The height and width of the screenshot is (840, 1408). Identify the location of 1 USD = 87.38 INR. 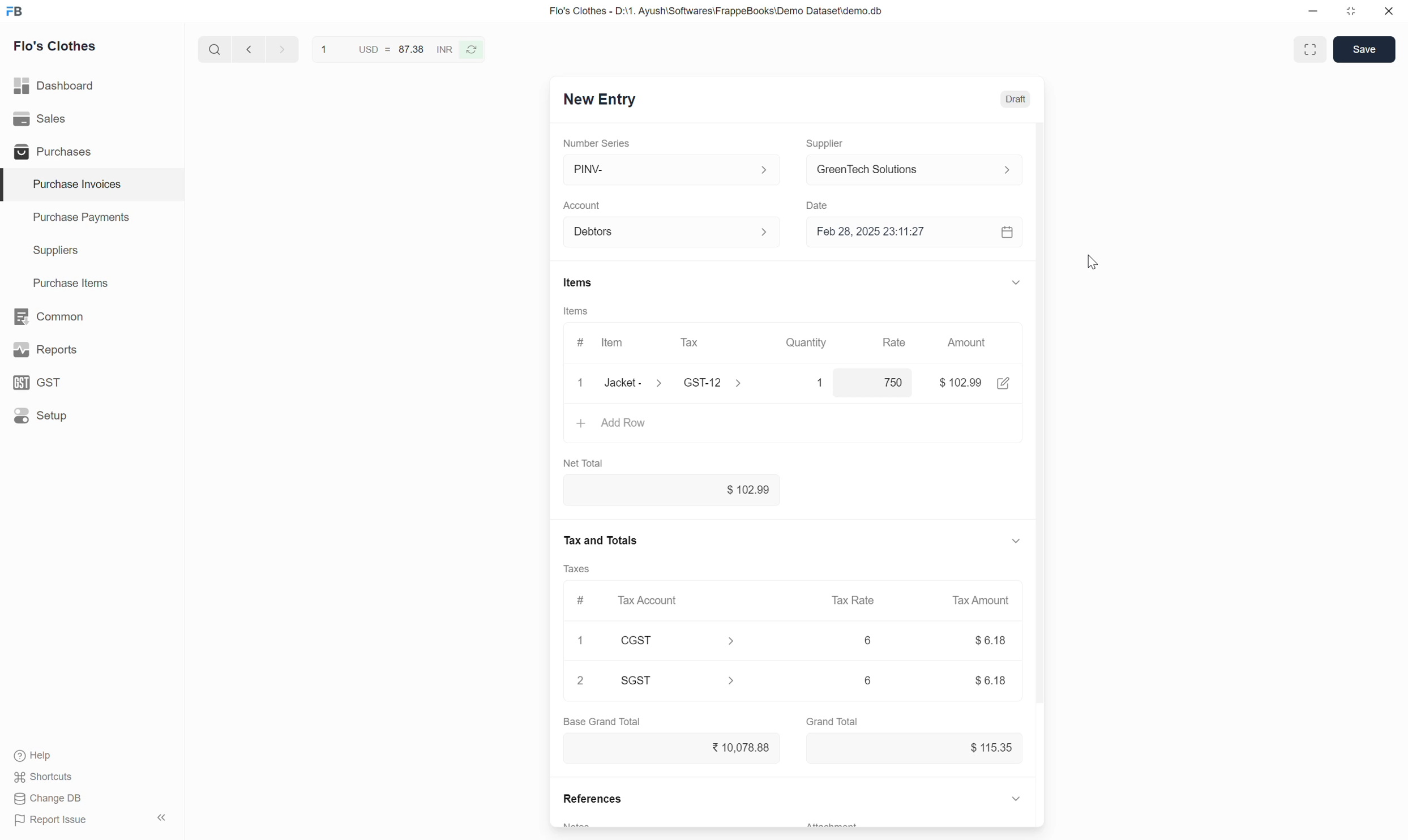
(384, 49).